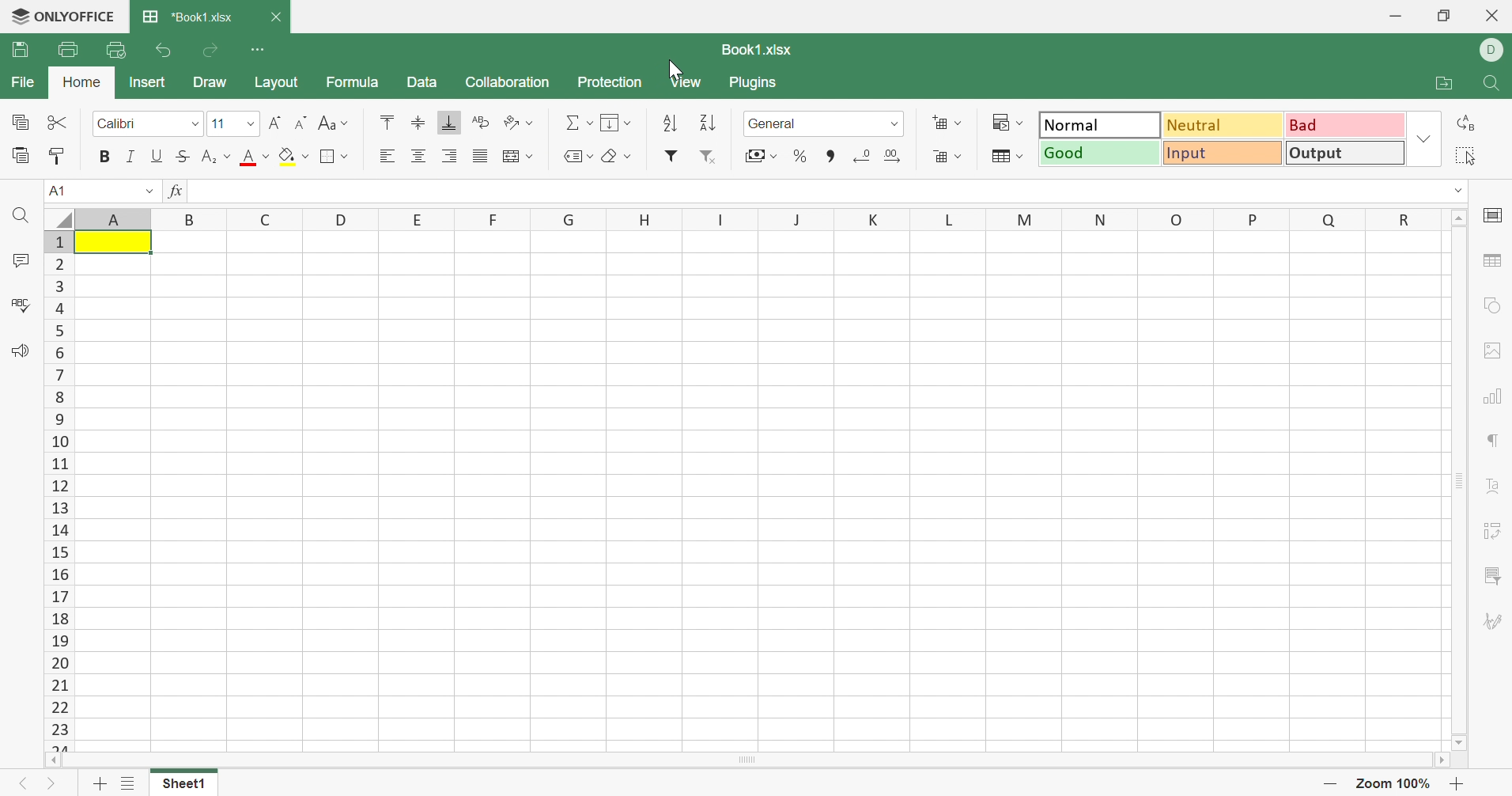 The height and width of the screenshot is (796, 1512). I want to click on DELL, so click(1492, 48).